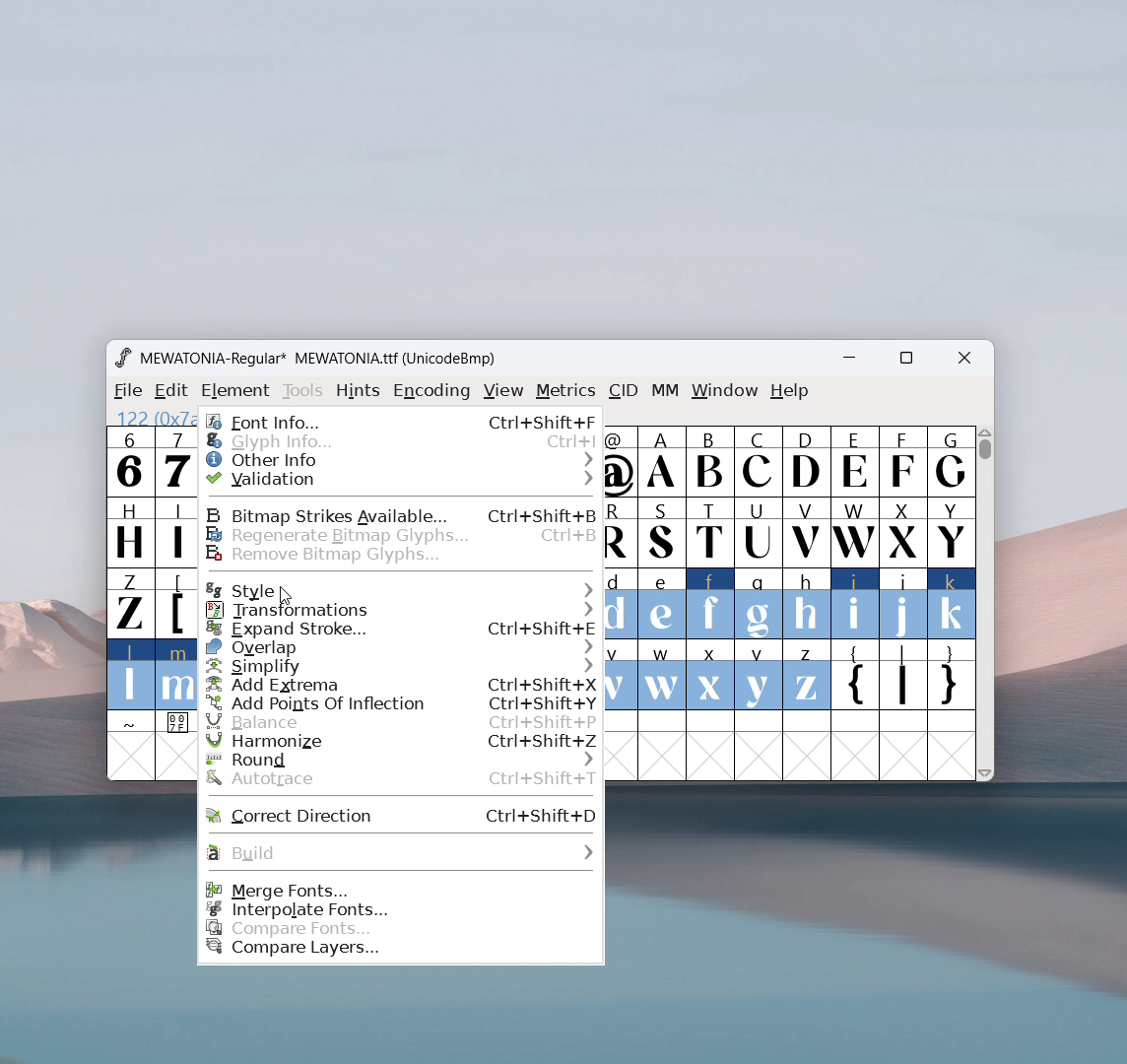  What do you see at coordinates (129, 602) in the screenshot?
I see `Z` at bounding box center [129, 602].